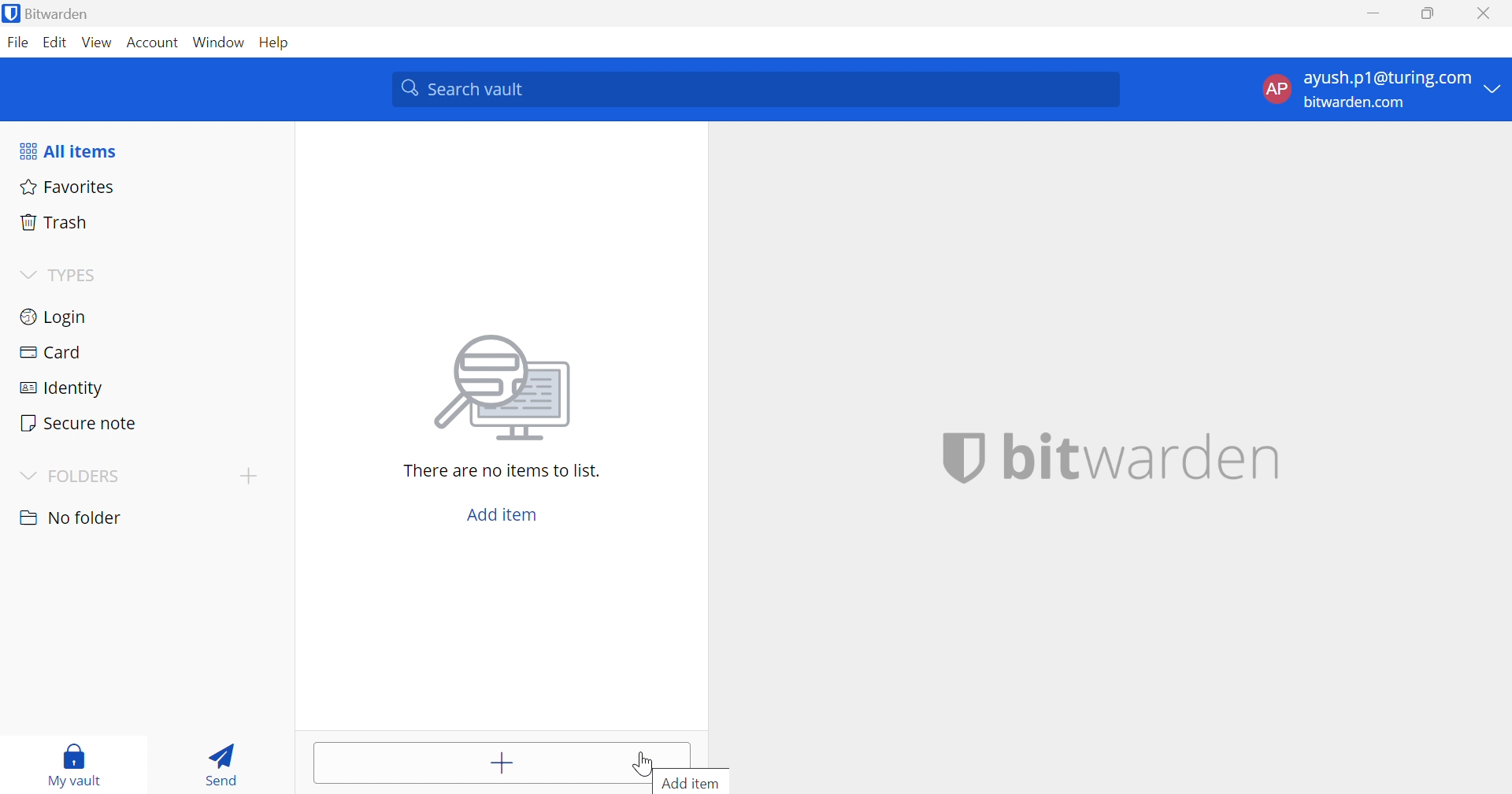 Image resolution: width=1512 pixels, height=794 pixels. What do you see at coordinates (154, 40) in the screenshot?
I see `Account` at bounding box center [154, 40].